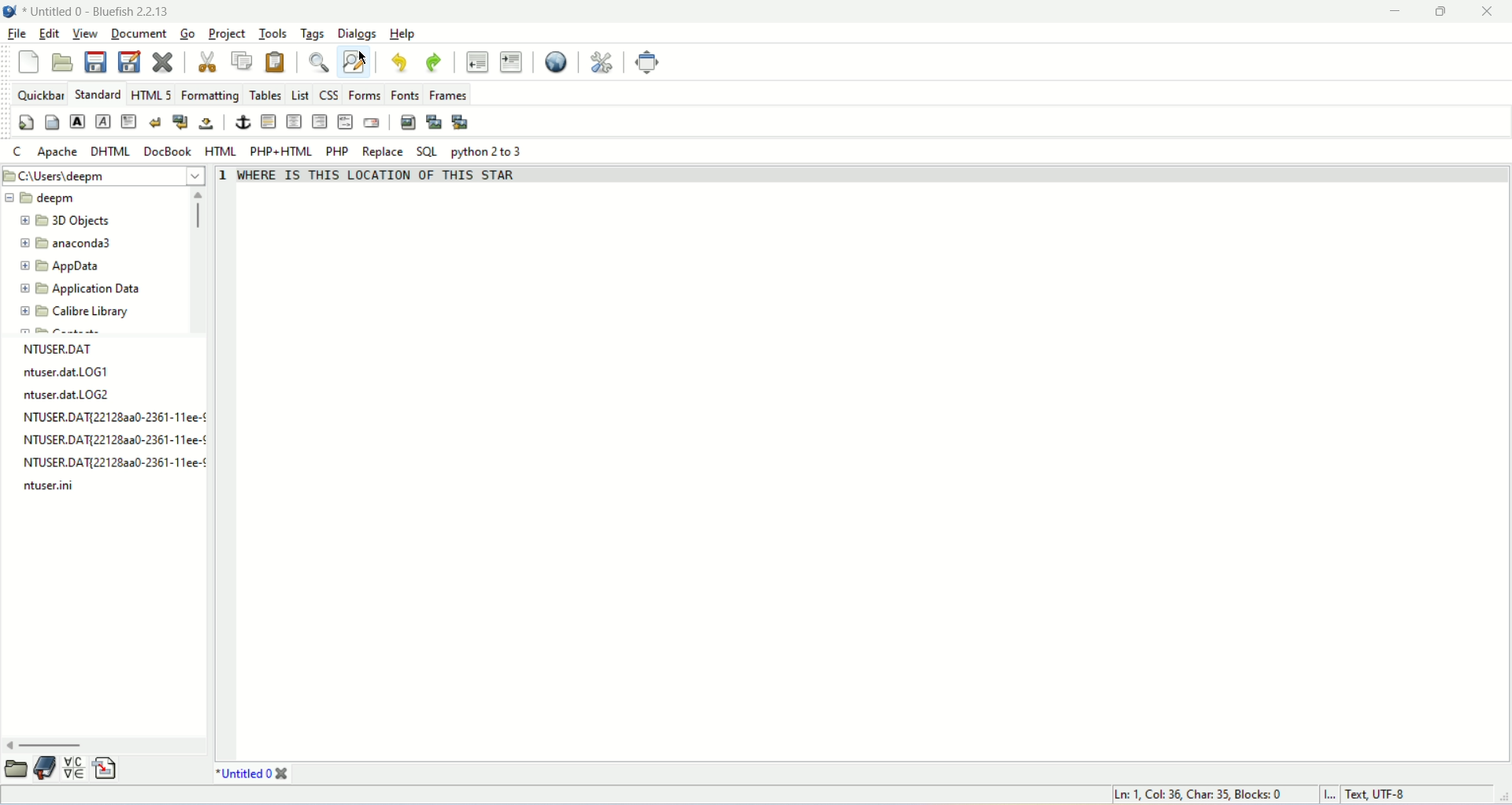 This screenshot has width=1512, height=805. What do you see at coordinates (875, 462) in the screenshot?
I see `editor` at bounding box center [875, 462].